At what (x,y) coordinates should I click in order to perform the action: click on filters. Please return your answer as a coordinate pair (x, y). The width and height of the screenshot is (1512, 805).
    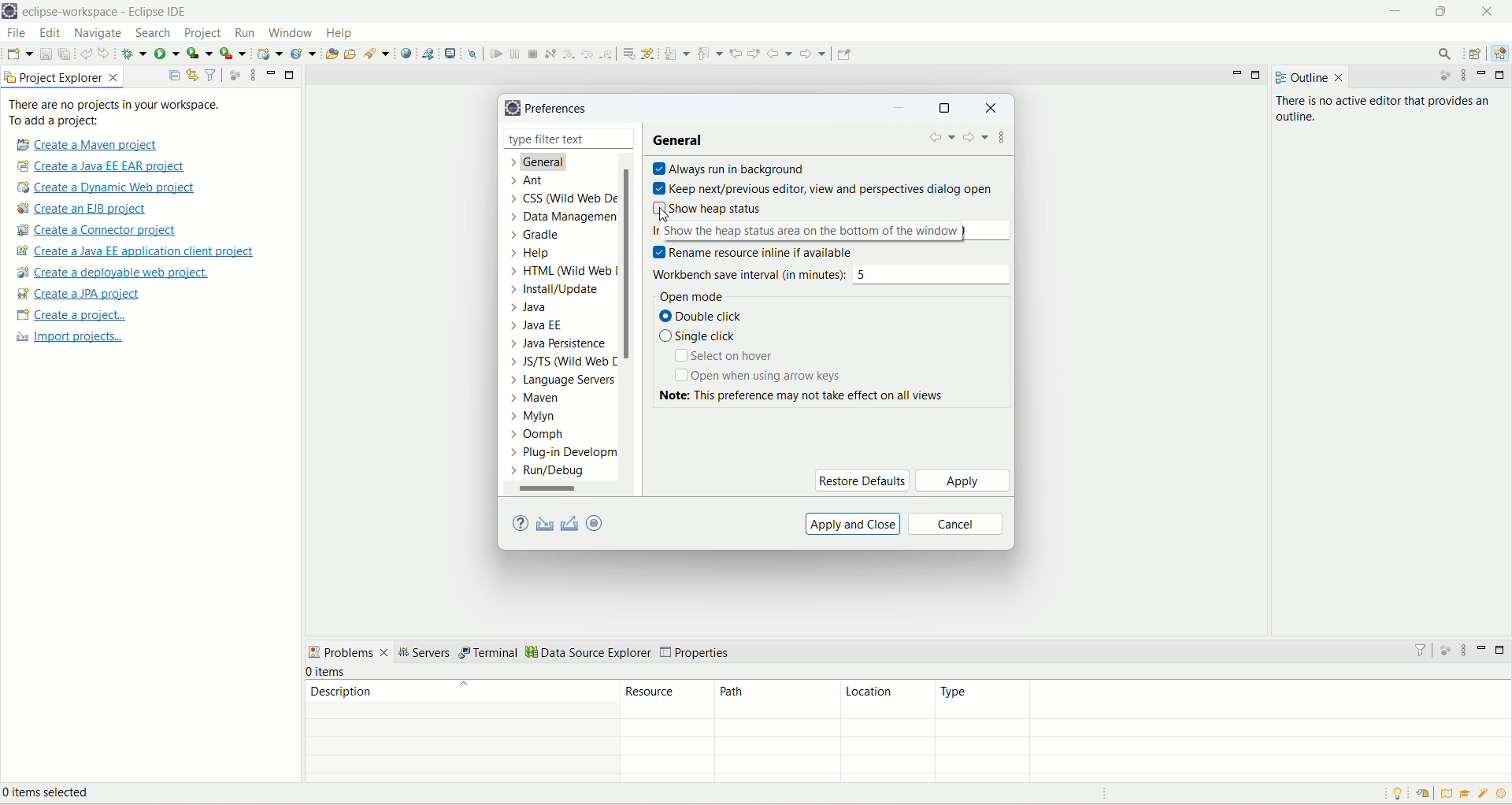
    Looking at the image, I should click on (1420, 649).